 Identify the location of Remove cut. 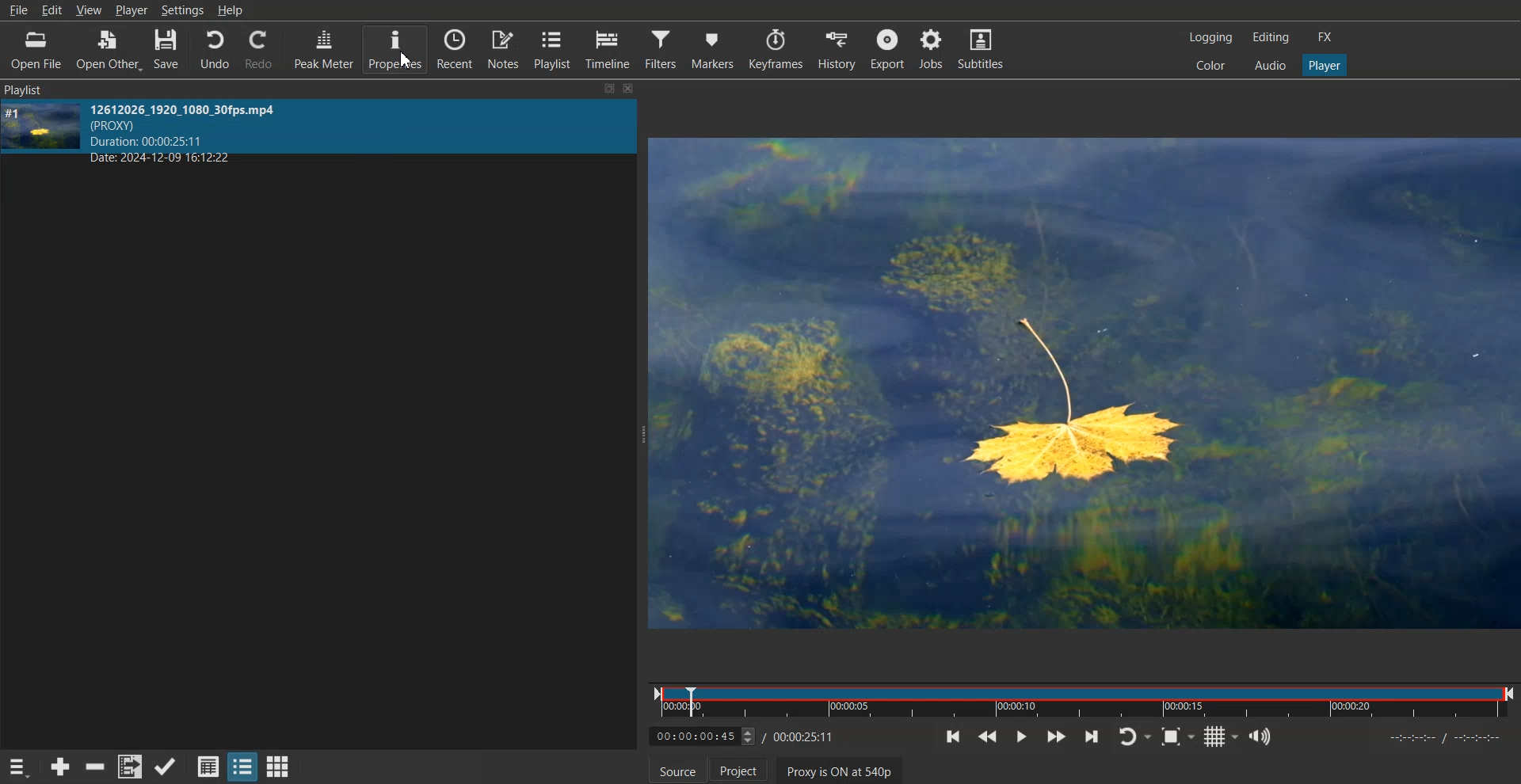
(97, 767).